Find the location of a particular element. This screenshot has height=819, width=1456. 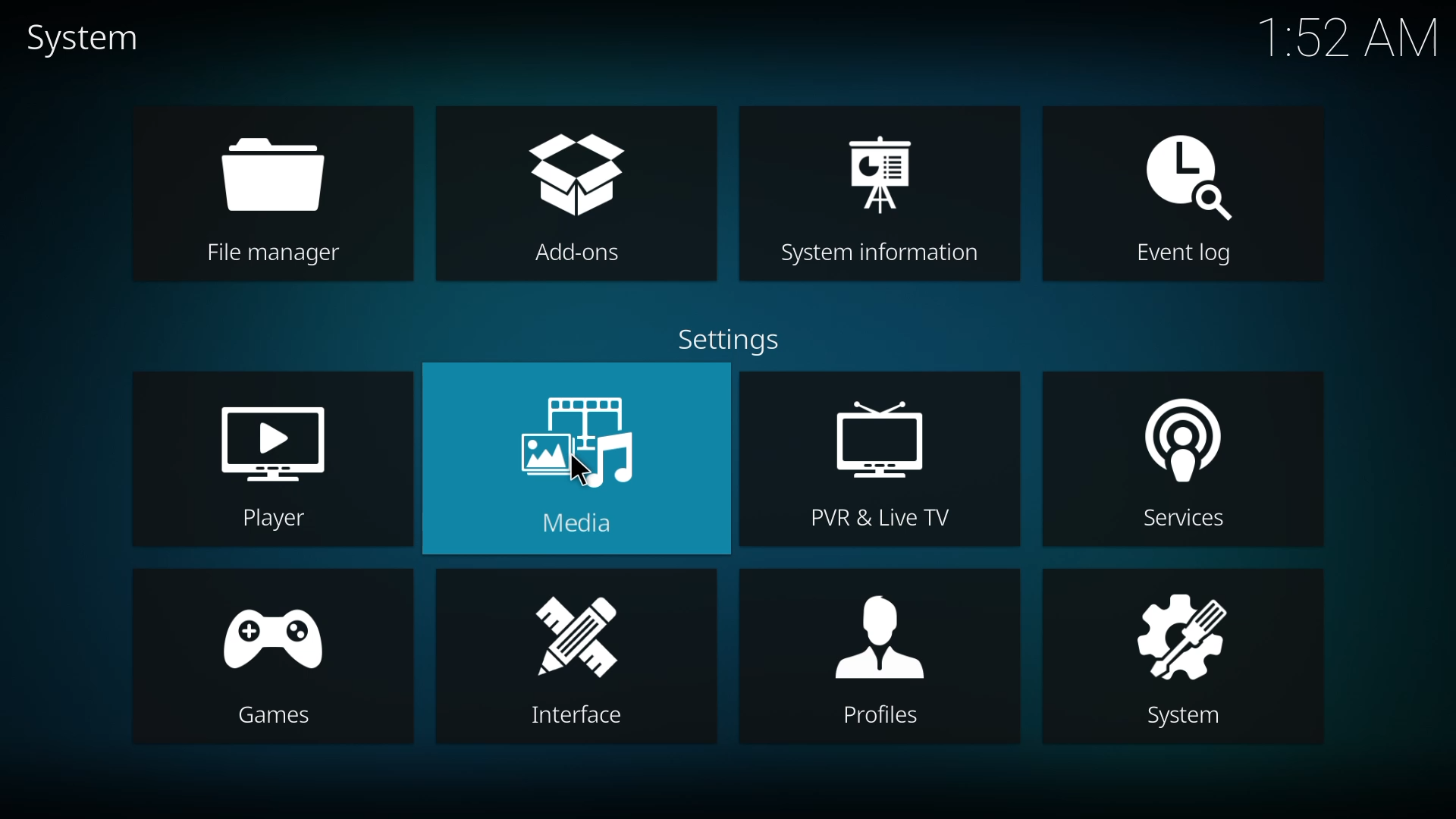

games is located at coordinates (265, 663).